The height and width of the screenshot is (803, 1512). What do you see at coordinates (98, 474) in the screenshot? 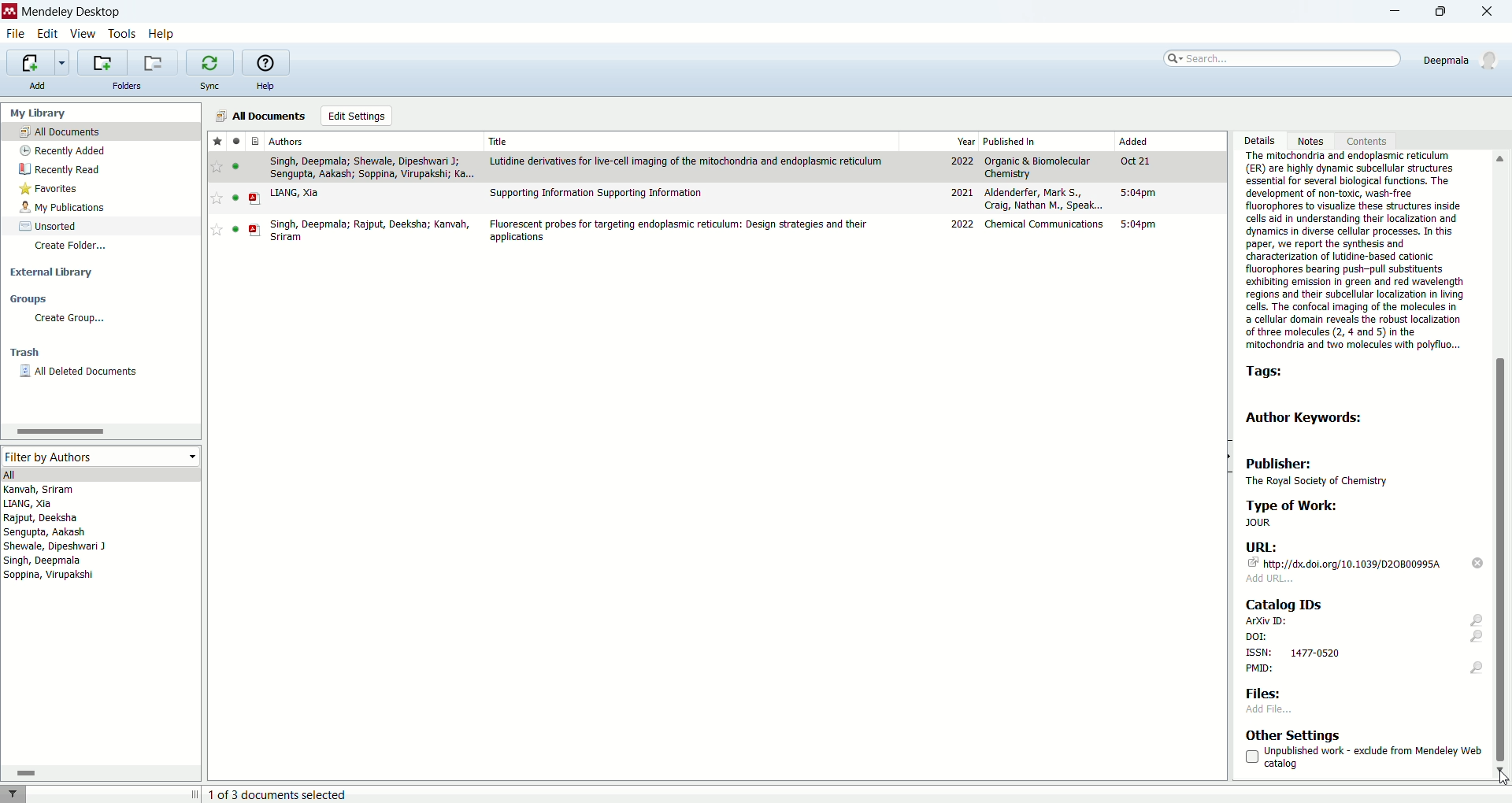
I see `all` at bounding box center [98, 474].